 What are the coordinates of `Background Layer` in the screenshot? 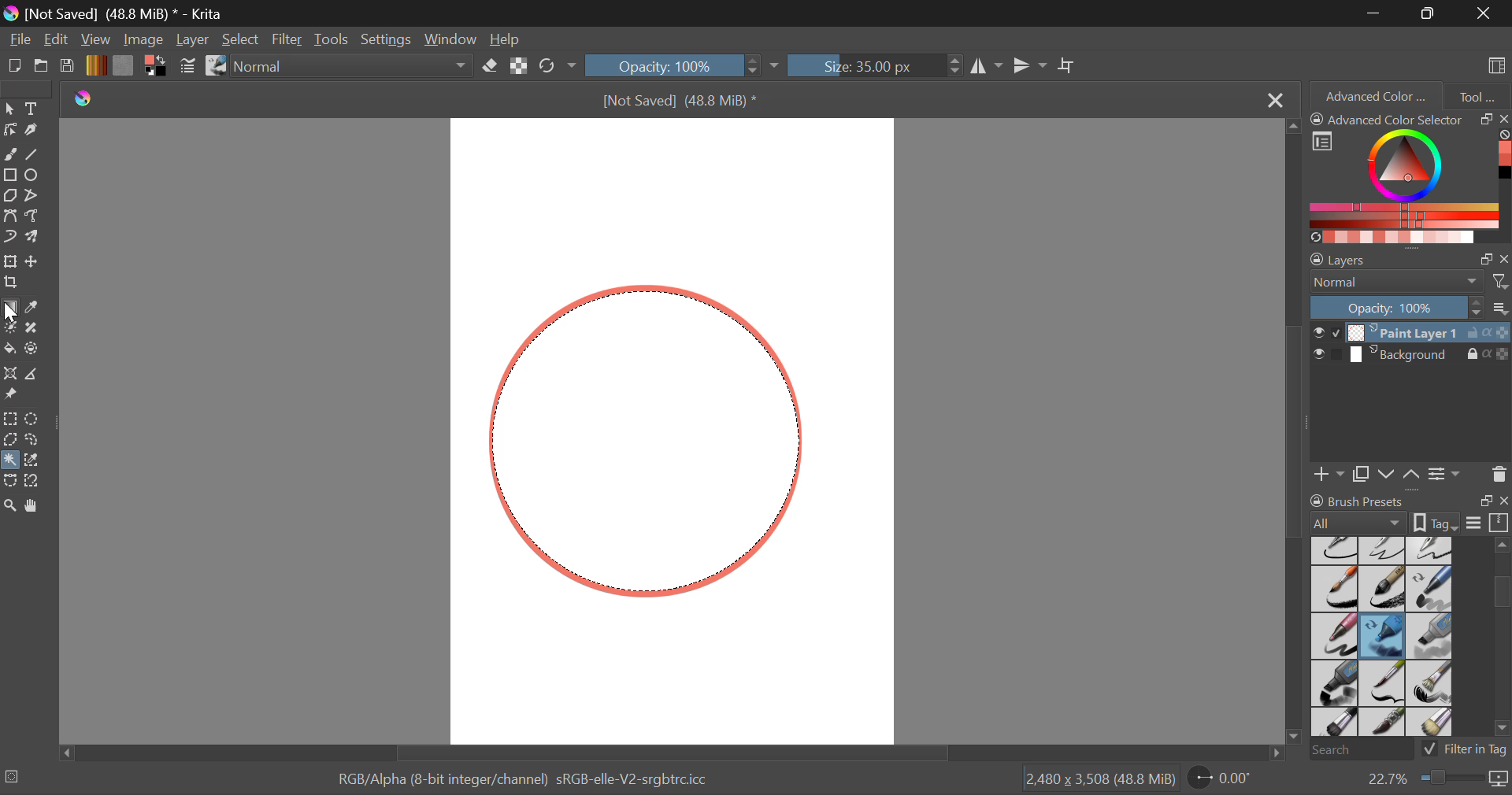 It's located at (1410, 357).